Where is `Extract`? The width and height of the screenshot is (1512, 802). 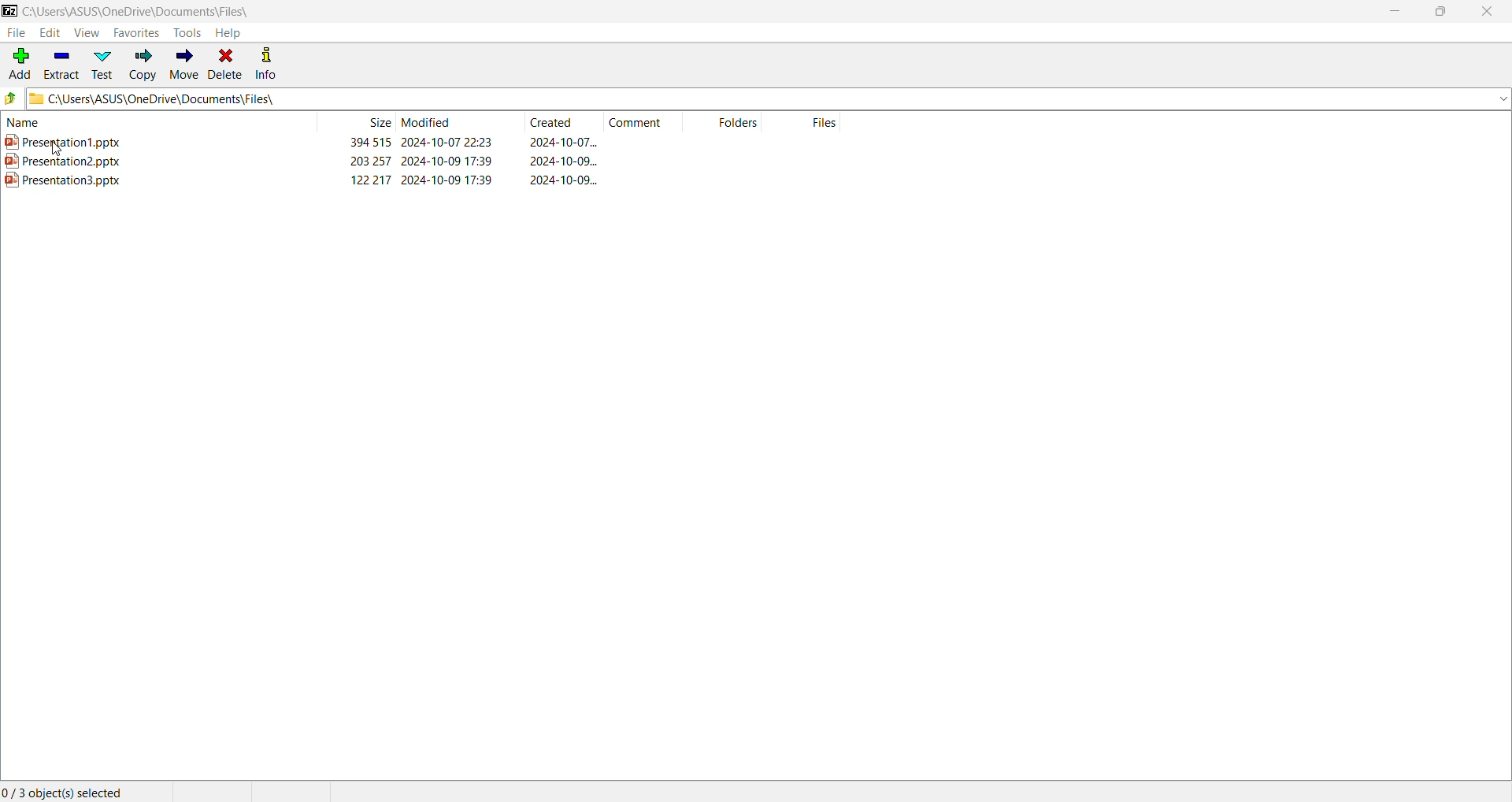
Extract is located at coordinates (61, 61).